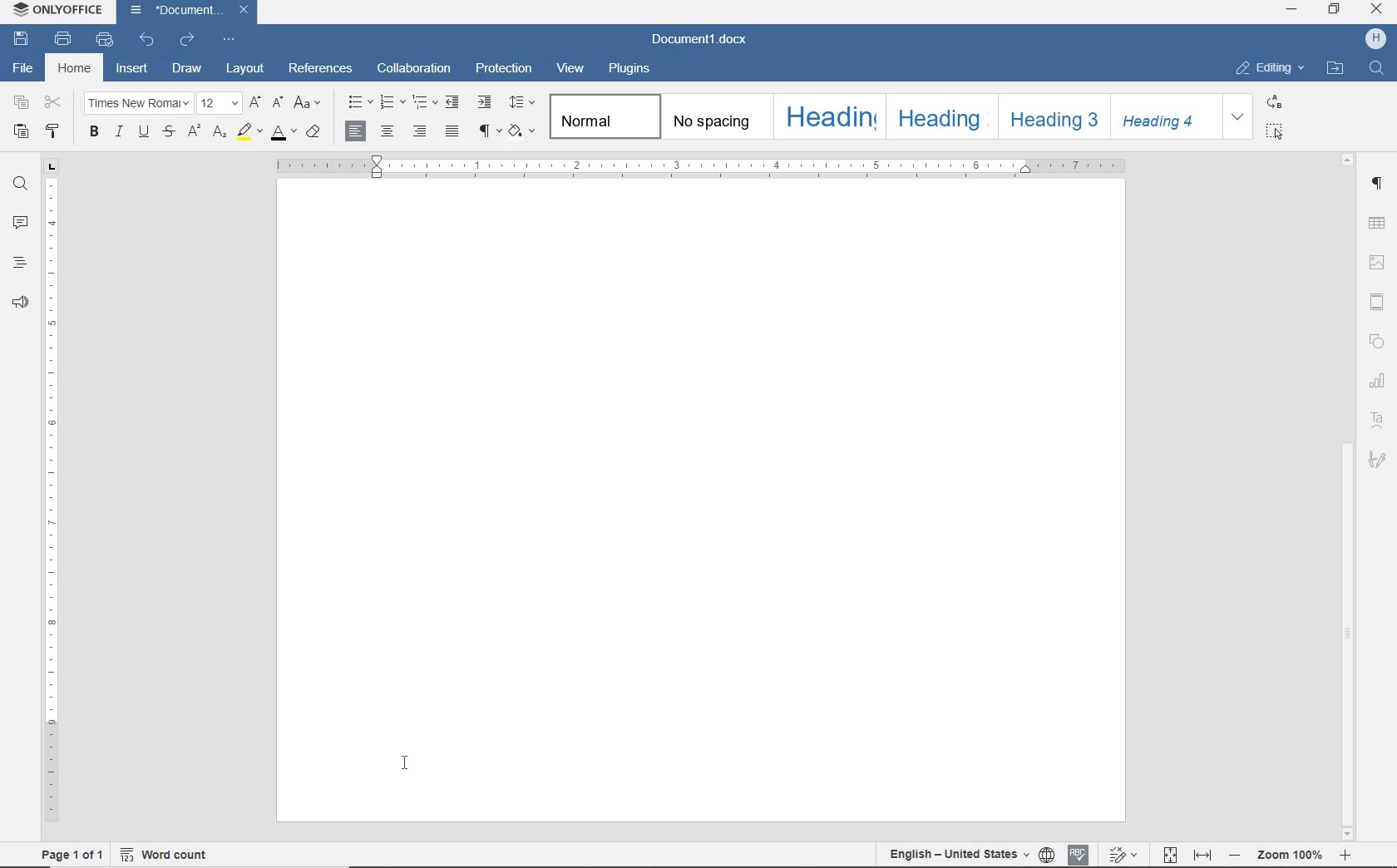  I want to click on minimize, so click(1291, 11).